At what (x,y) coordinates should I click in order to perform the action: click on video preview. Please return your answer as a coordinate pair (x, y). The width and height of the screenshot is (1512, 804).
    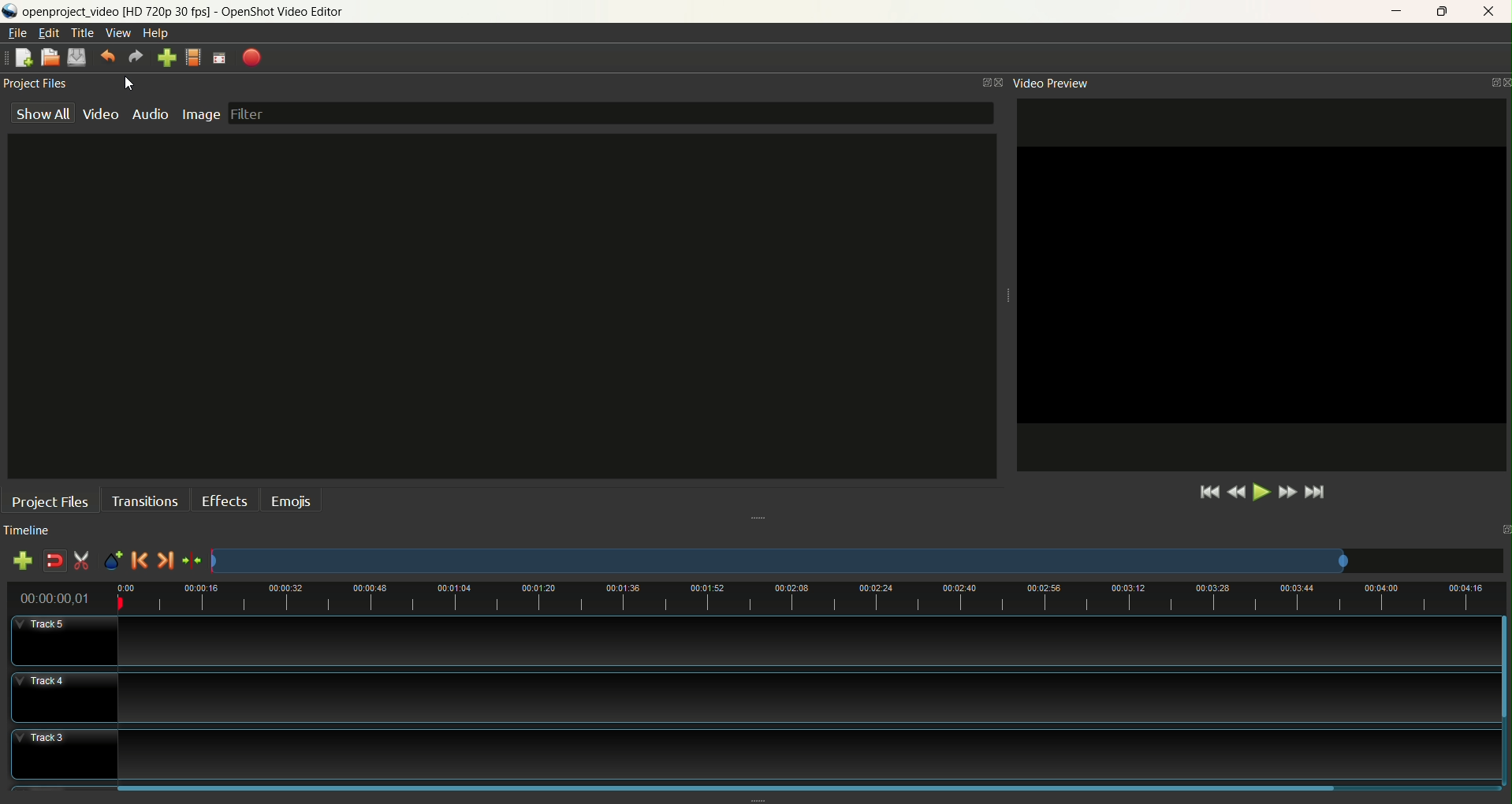
    Looking at the image, I should click on (1052, 83).